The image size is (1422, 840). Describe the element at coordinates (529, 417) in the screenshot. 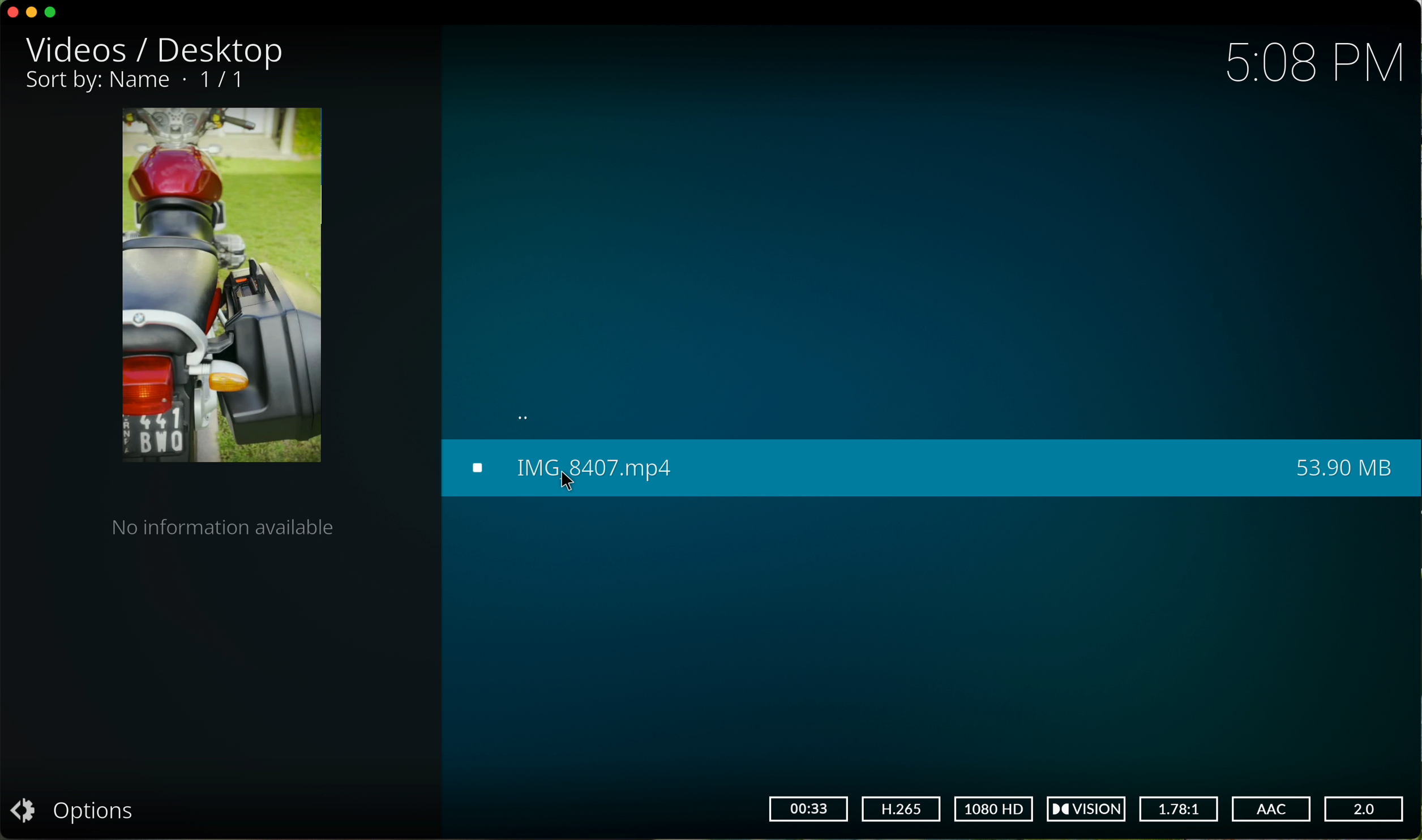

I see `back` at that location.